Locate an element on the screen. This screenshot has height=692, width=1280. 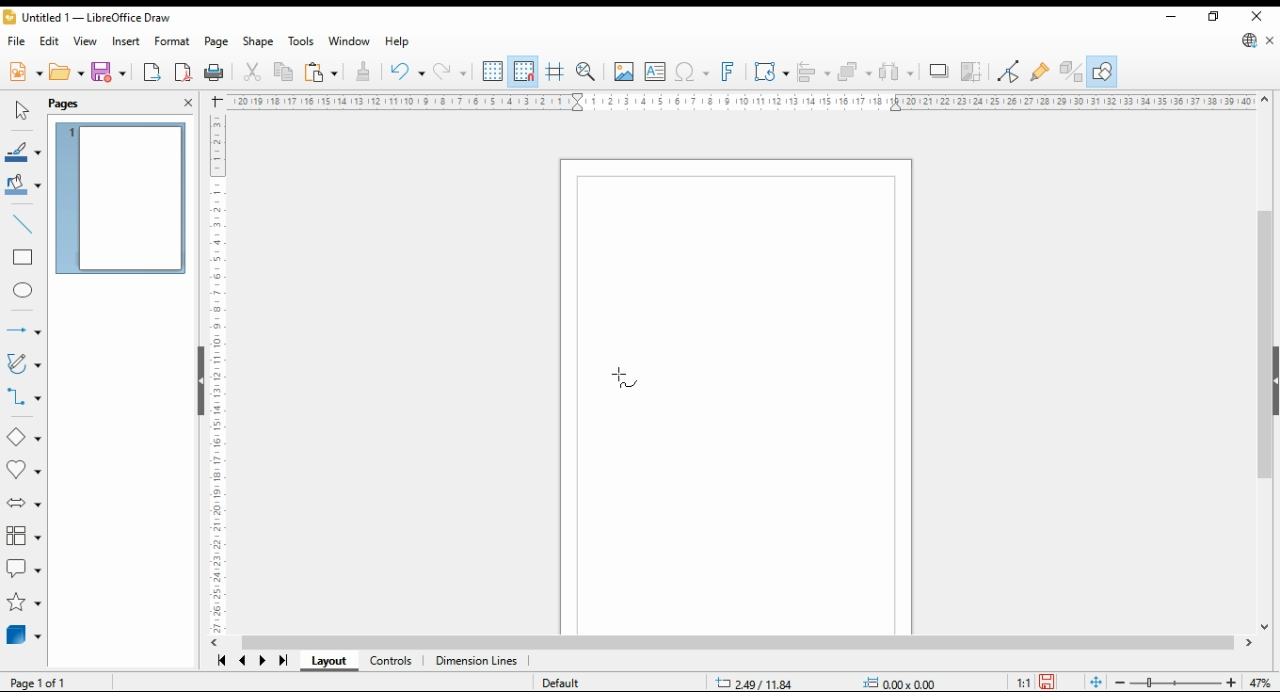
undo is located at coordinates (408, 72).